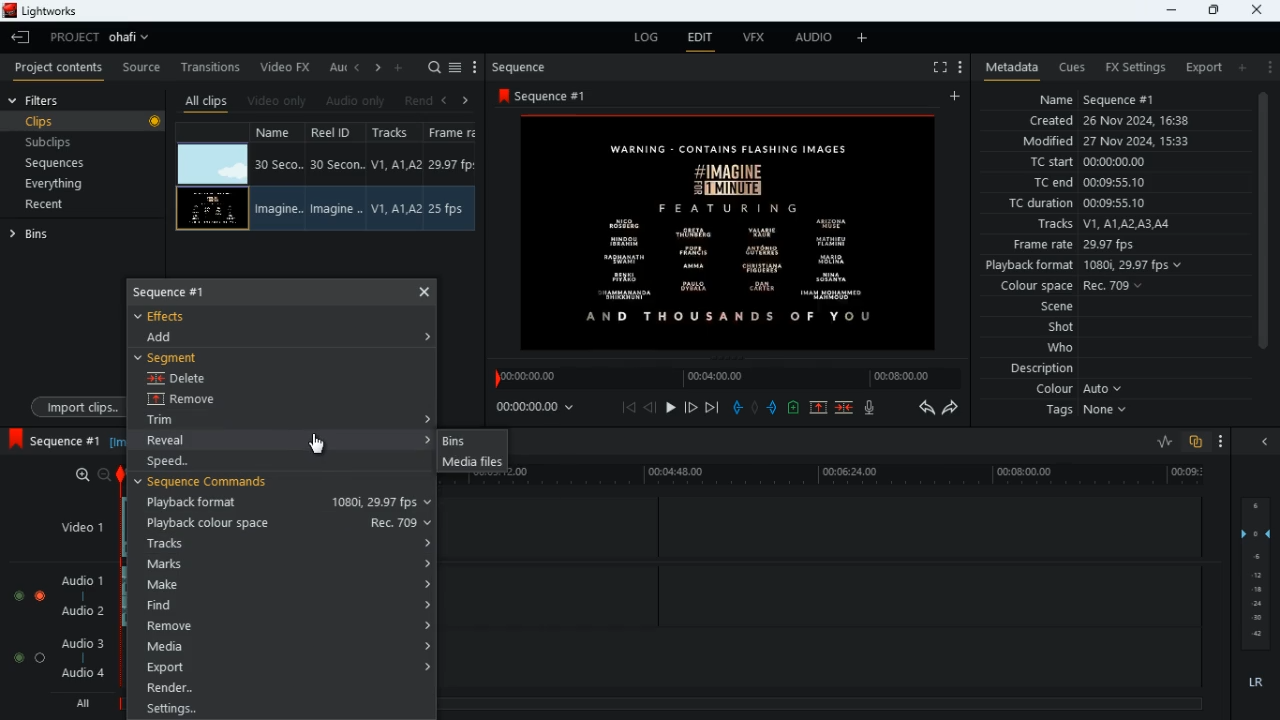  Describe the element at coordinates (466, 100) in the screenshot. I see `right` at that location.